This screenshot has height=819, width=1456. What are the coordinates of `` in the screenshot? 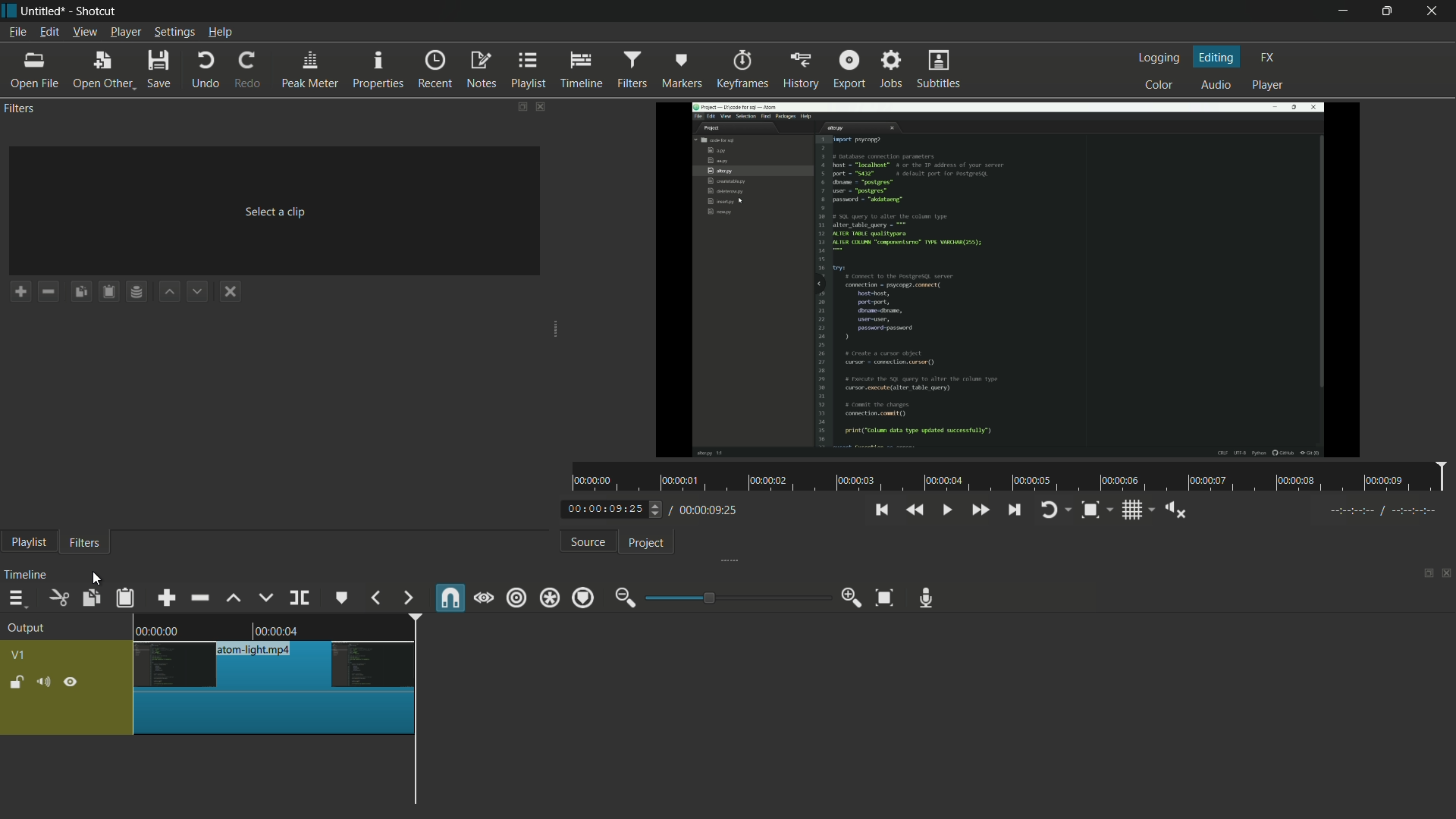 It's located at (1007, 278).